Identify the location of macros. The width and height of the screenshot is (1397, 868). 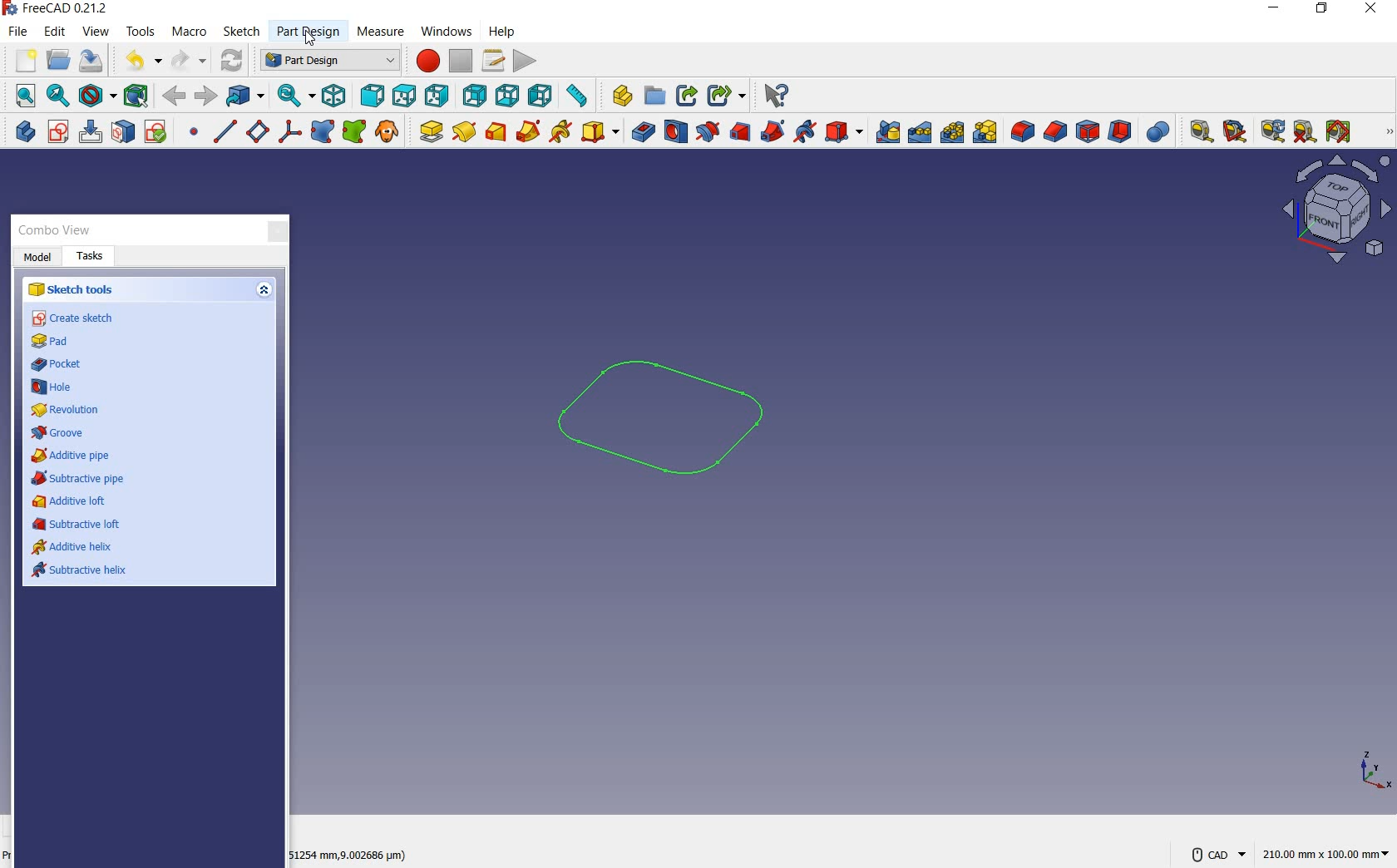
(493, 60).